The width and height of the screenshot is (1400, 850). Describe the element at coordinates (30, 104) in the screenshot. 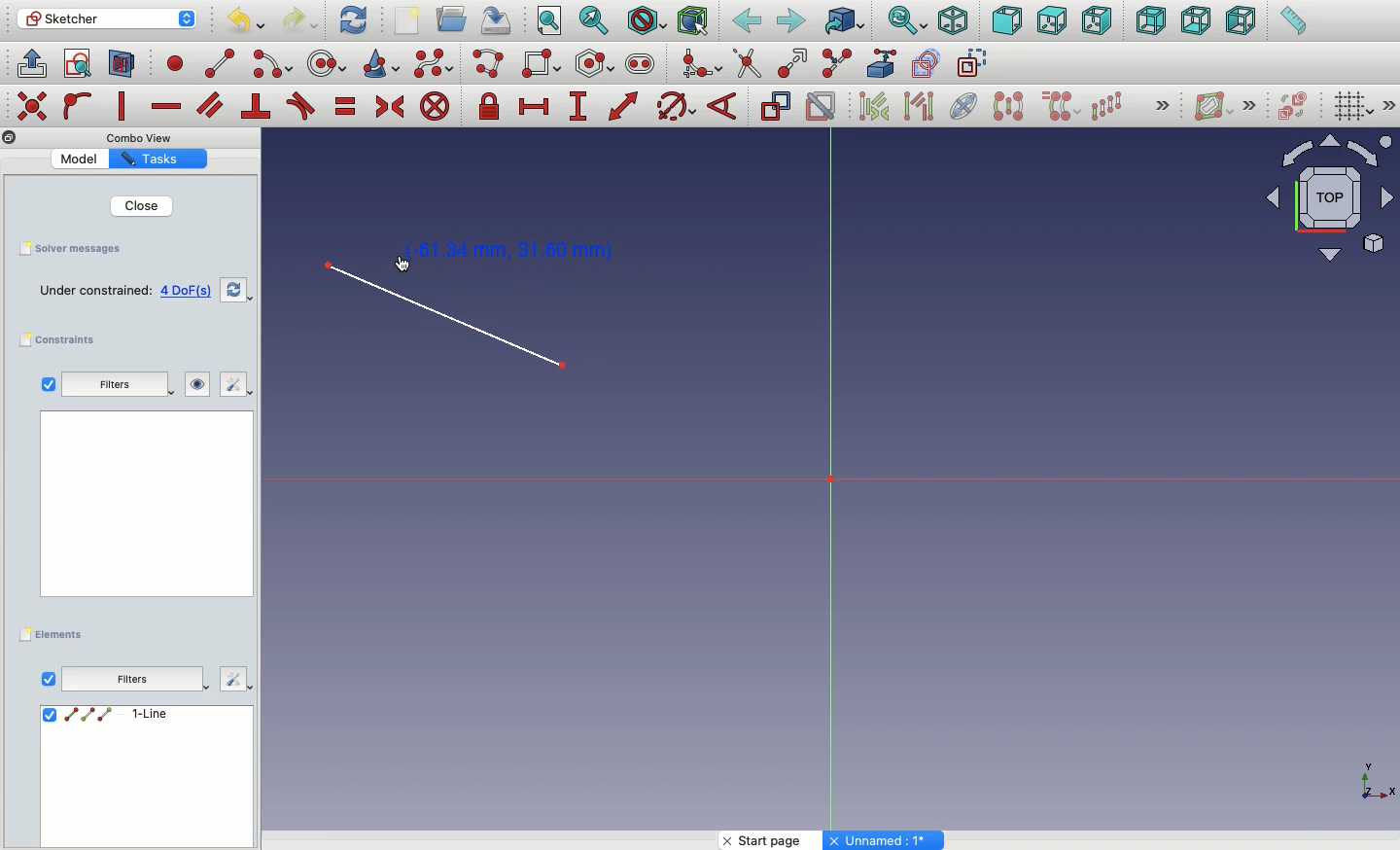

I see `` at that location.